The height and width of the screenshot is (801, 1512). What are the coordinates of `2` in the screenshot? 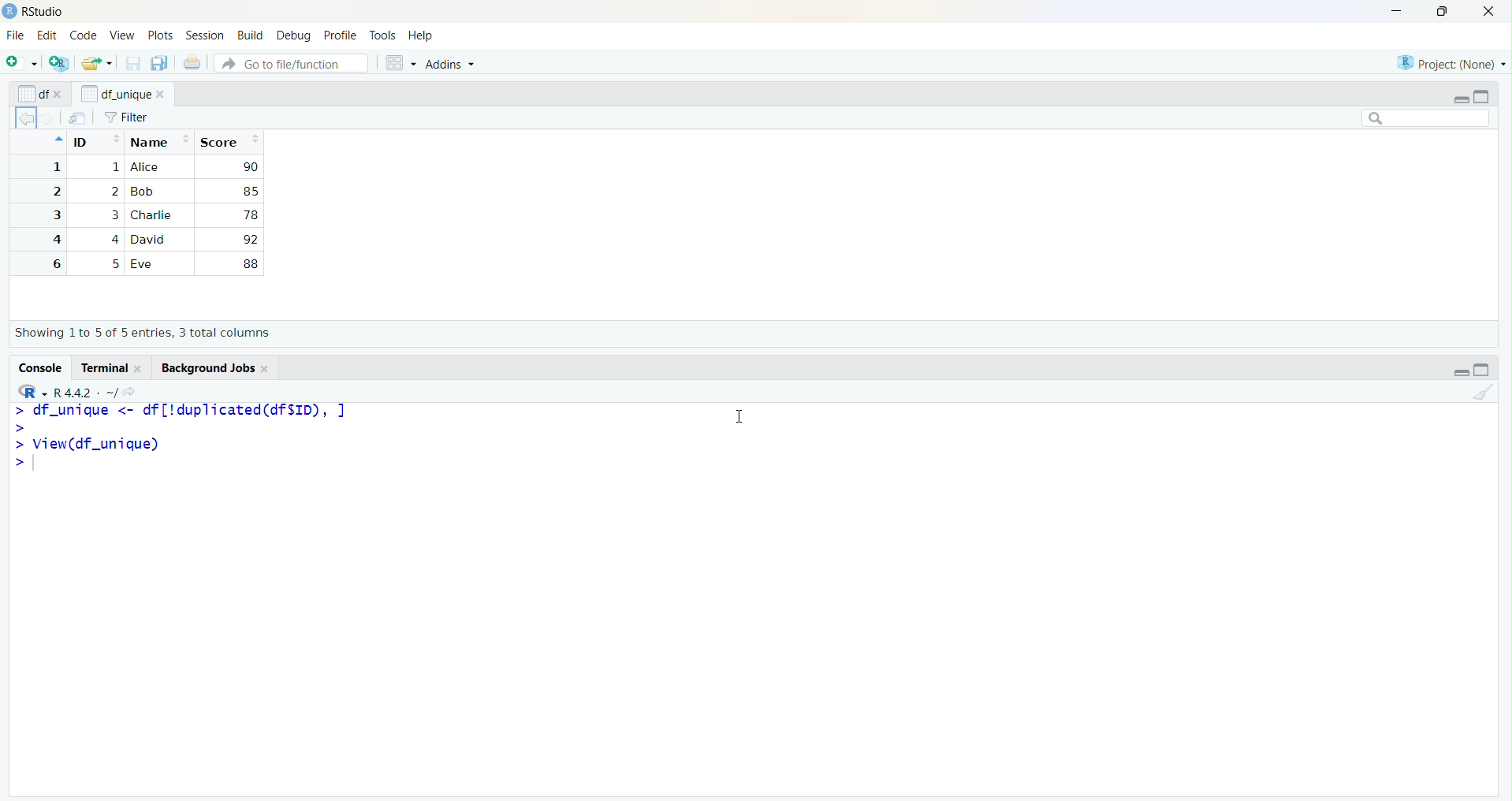 It's located at (54, 192).